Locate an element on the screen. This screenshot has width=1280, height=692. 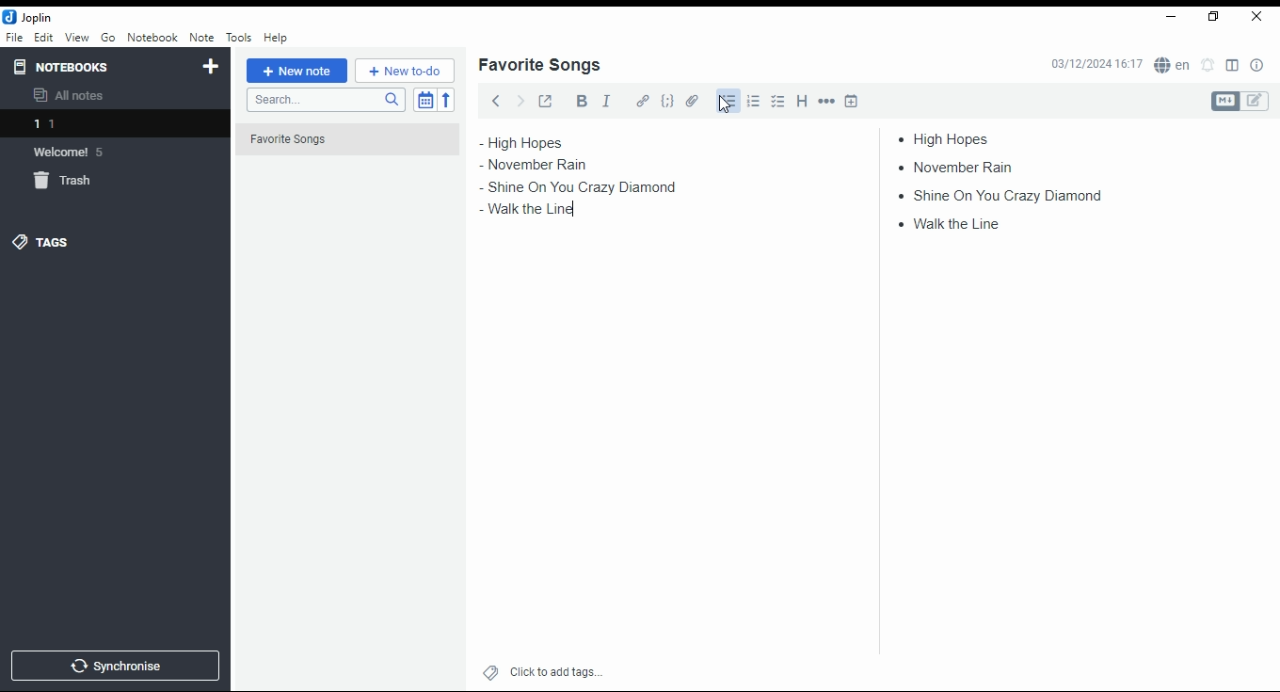
note properties is located at coordinates (1258, 66).